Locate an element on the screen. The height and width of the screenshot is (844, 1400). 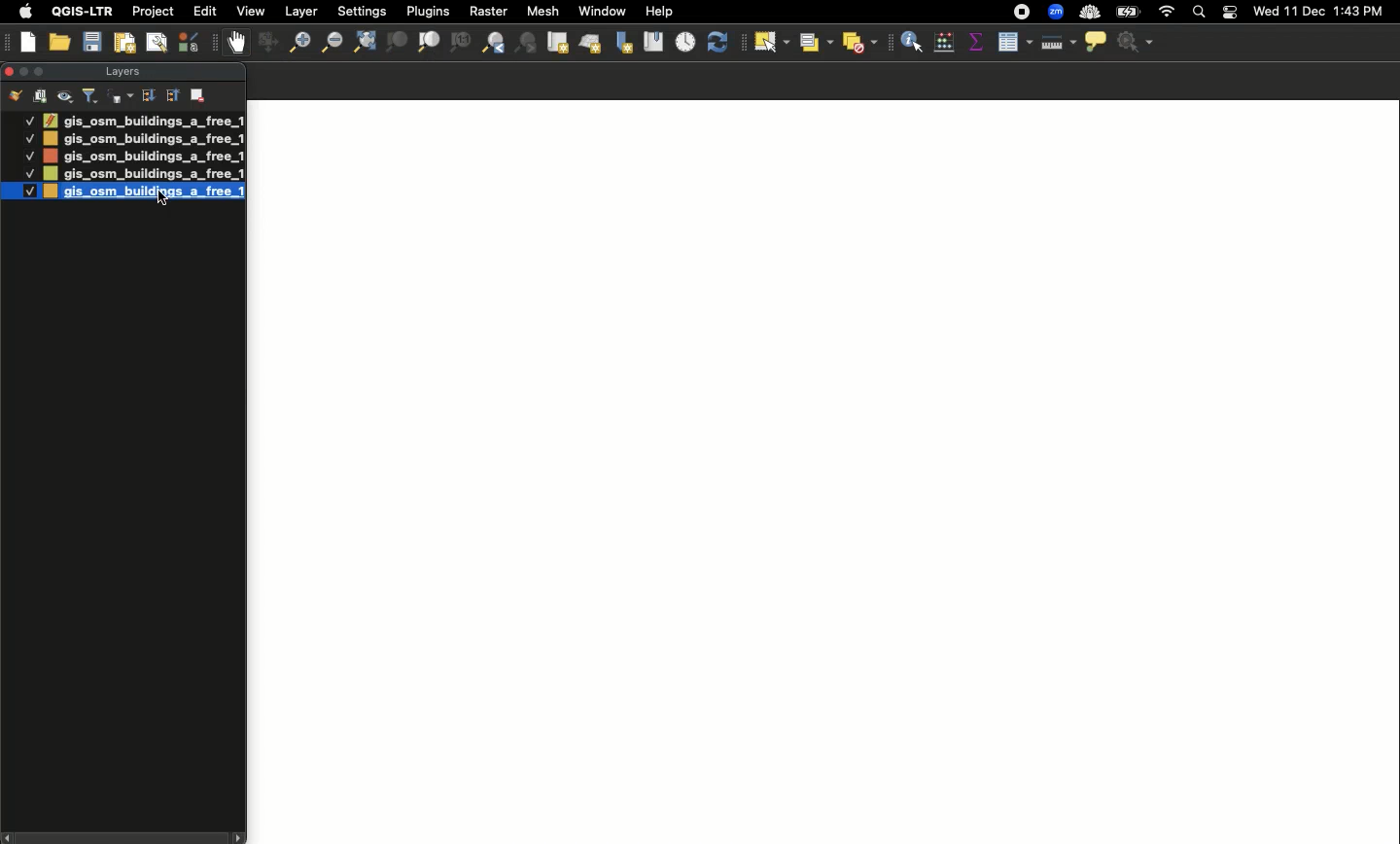
Identify features is located at coordinates (912, 40).